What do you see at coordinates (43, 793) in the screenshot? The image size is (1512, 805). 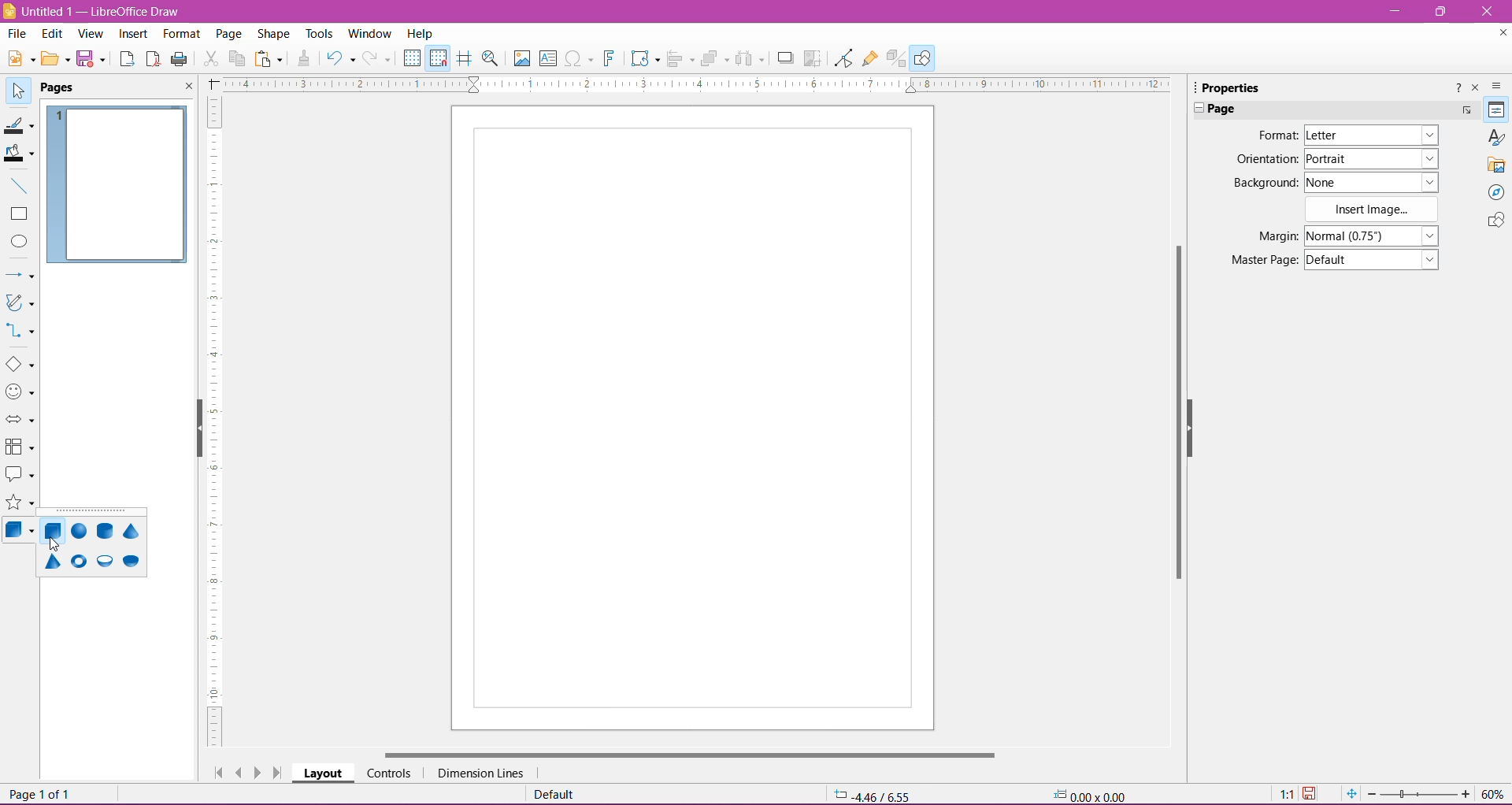 I see `Page Number` at bounding box center [43, 793].